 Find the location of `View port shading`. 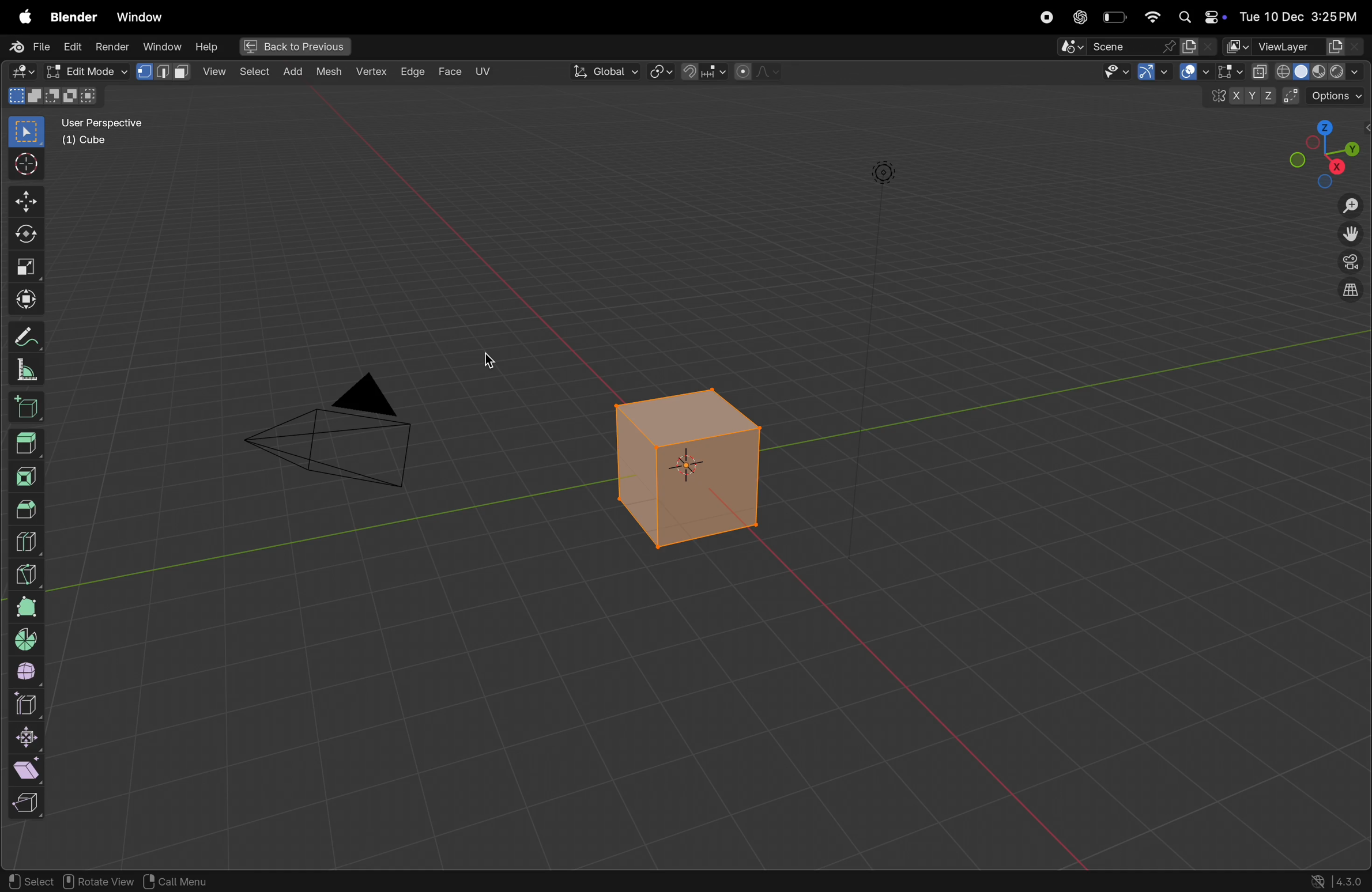

View port shading is located at coordinates (1307, 71).